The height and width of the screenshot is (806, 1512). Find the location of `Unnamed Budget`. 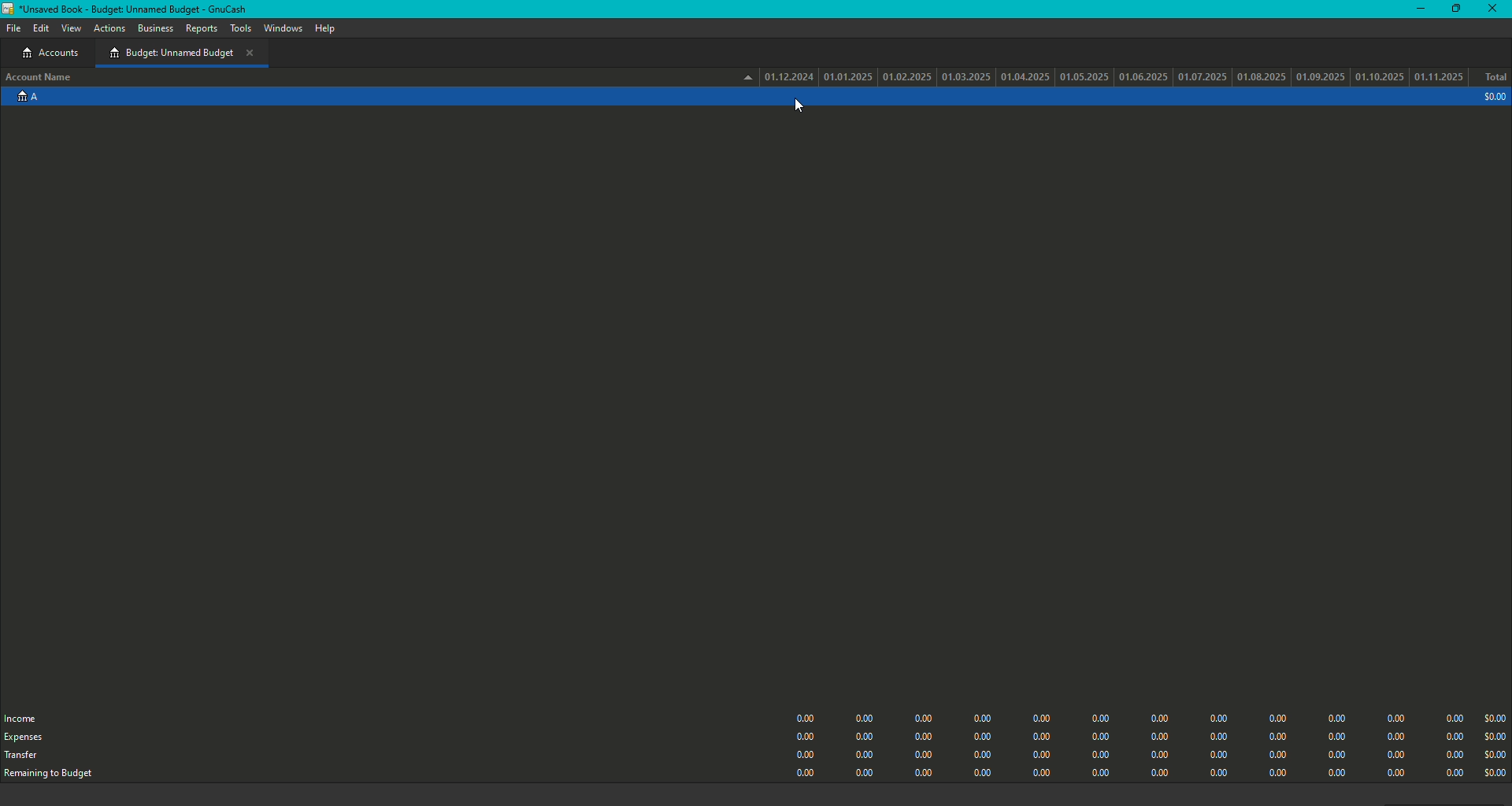

Unnamed Budget is located at coordinates (181, 53).